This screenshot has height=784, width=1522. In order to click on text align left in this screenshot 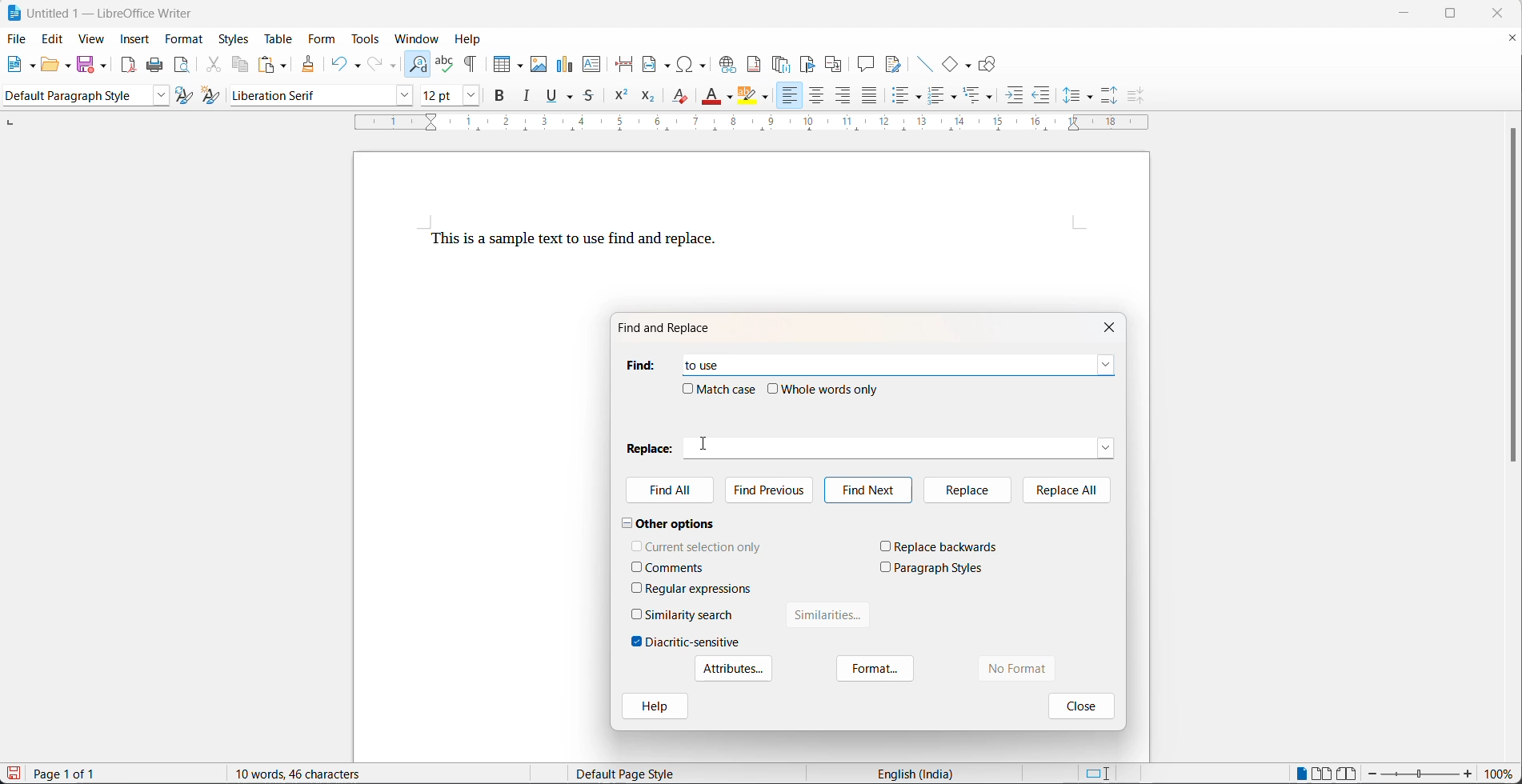, I will do `click(788, 96)`.